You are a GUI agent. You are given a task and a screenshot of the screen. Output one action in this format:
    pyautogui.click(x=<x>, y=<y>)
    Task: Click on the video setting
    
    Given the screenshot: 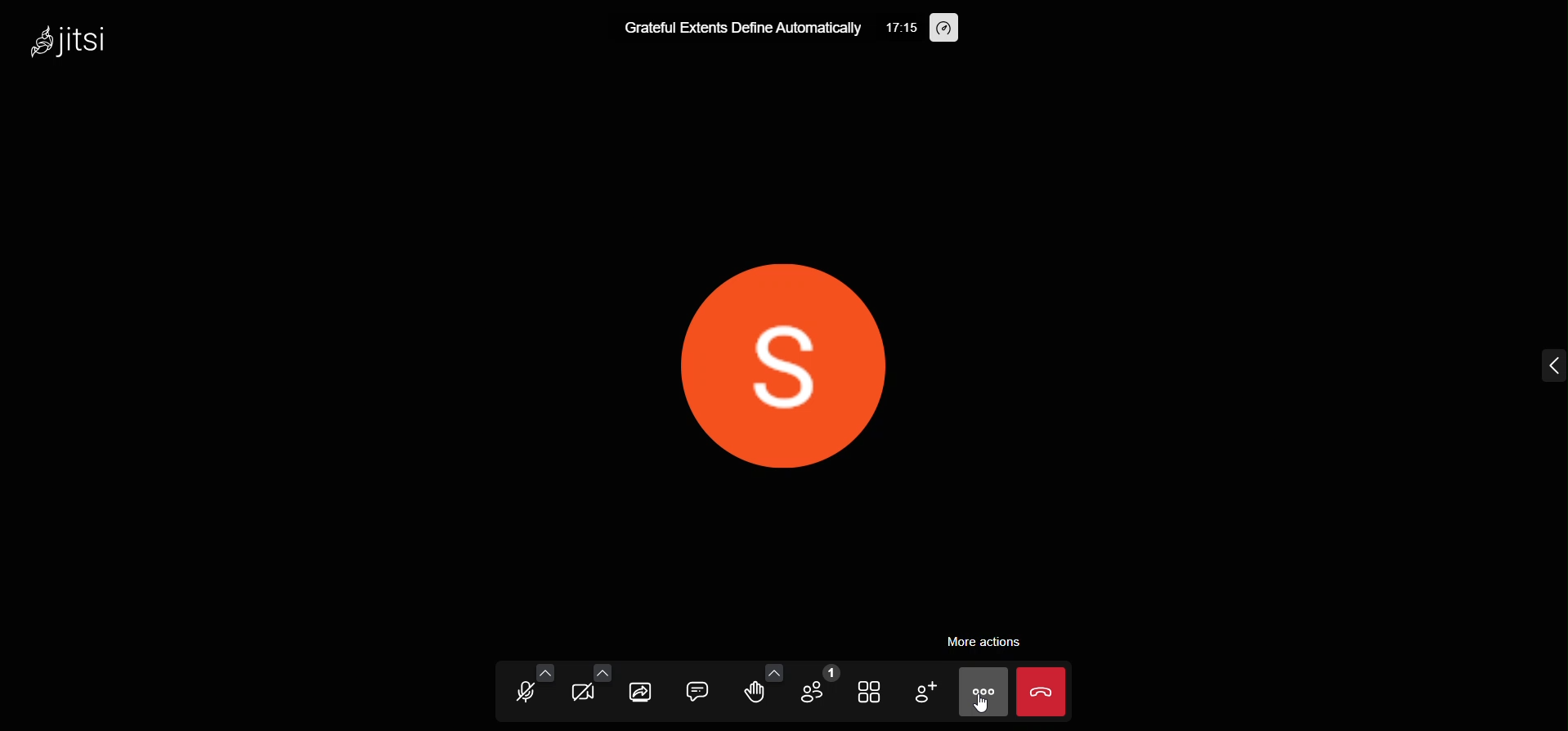 What is the action you would take?
    pyautogui.click(x=601, y=671)
    